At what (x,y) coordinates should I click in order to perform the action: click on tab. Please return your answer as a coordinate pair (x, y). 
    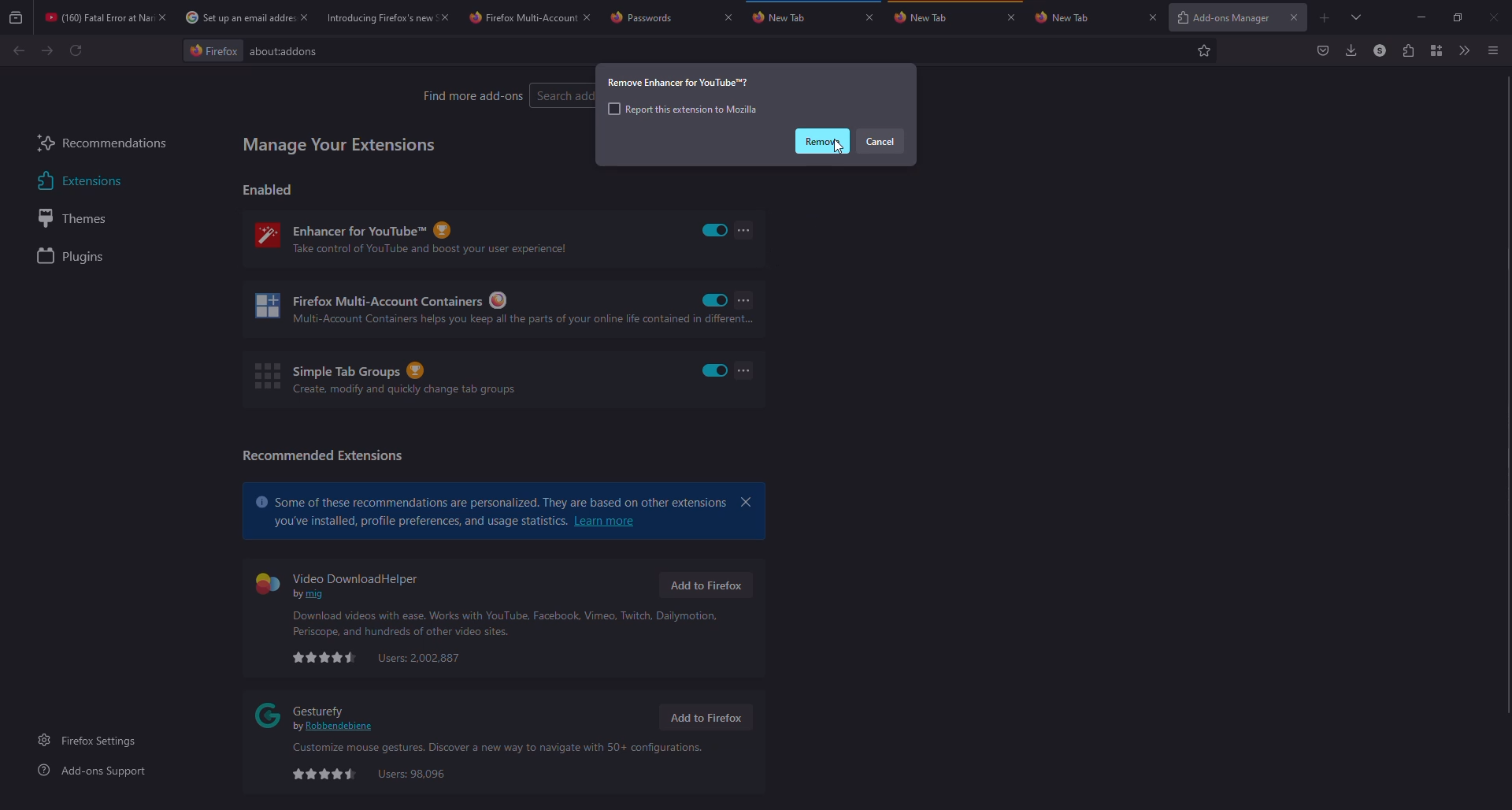
    Looking at the image, I should click on (521, 18).